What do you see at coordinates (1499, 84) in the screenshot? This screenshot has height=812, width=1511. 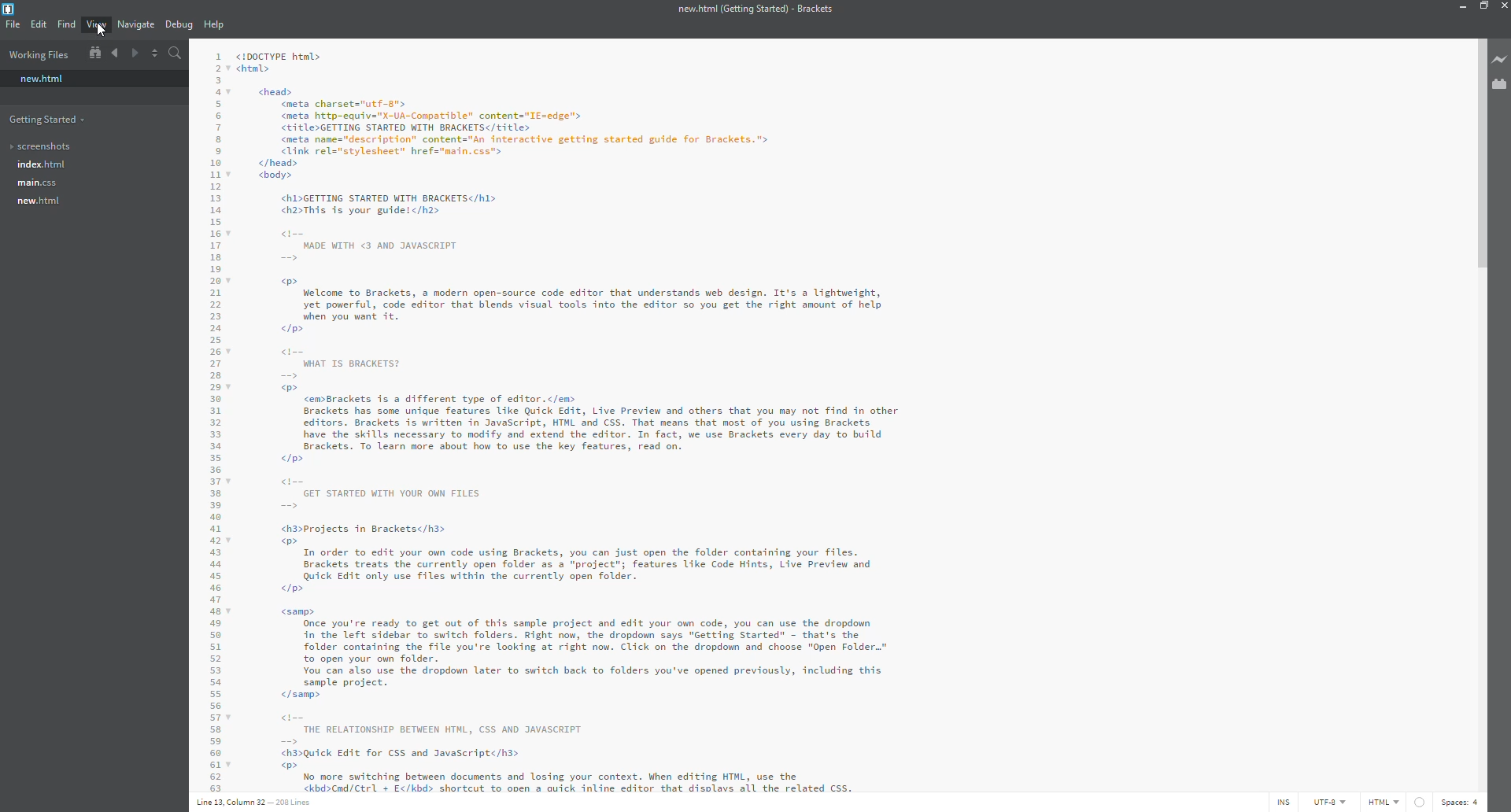 I see `extension manager` at bounding box center [1499, 84].